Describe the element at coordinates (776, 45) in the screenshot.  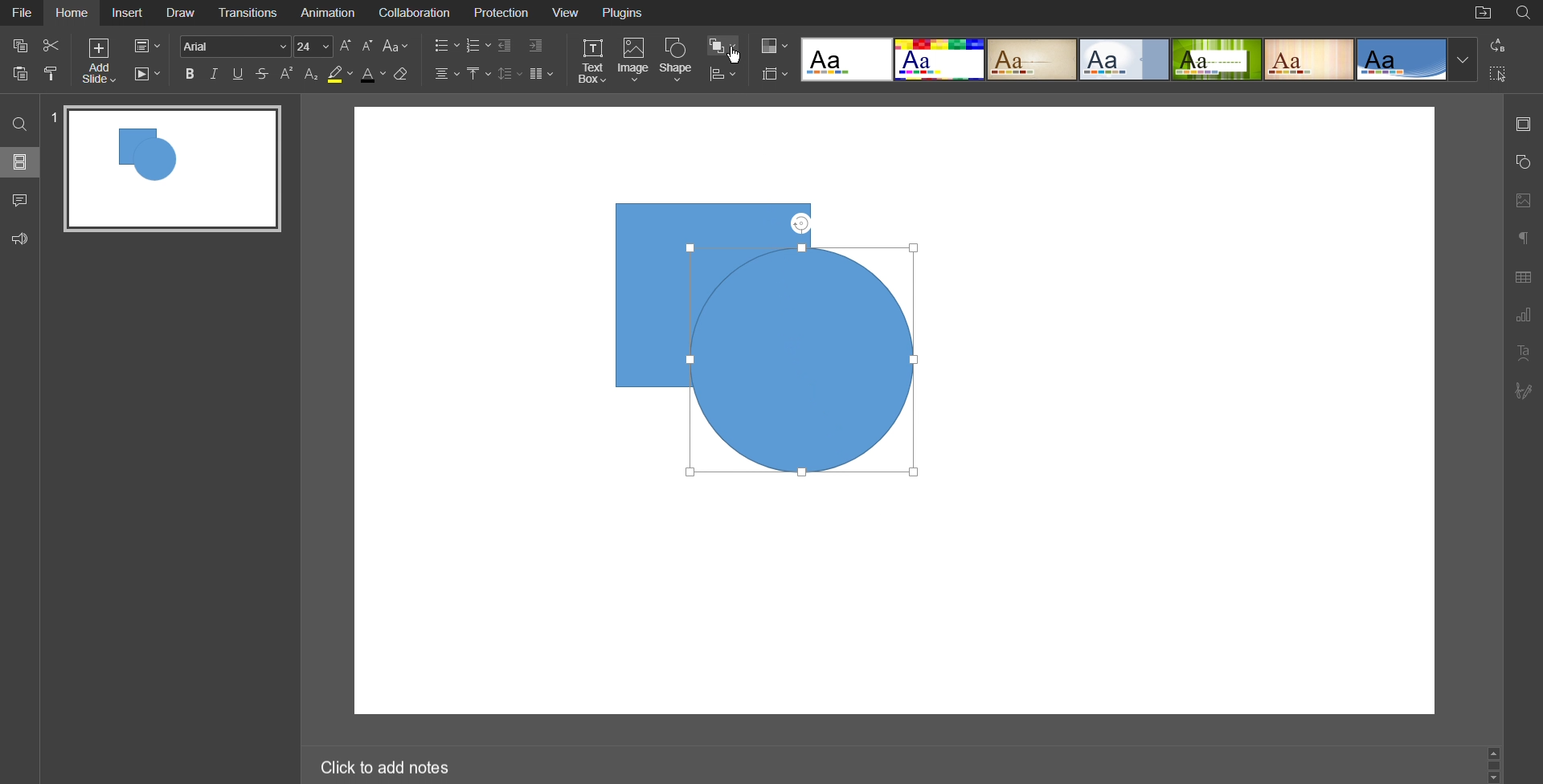
I see `Colors` at that location.